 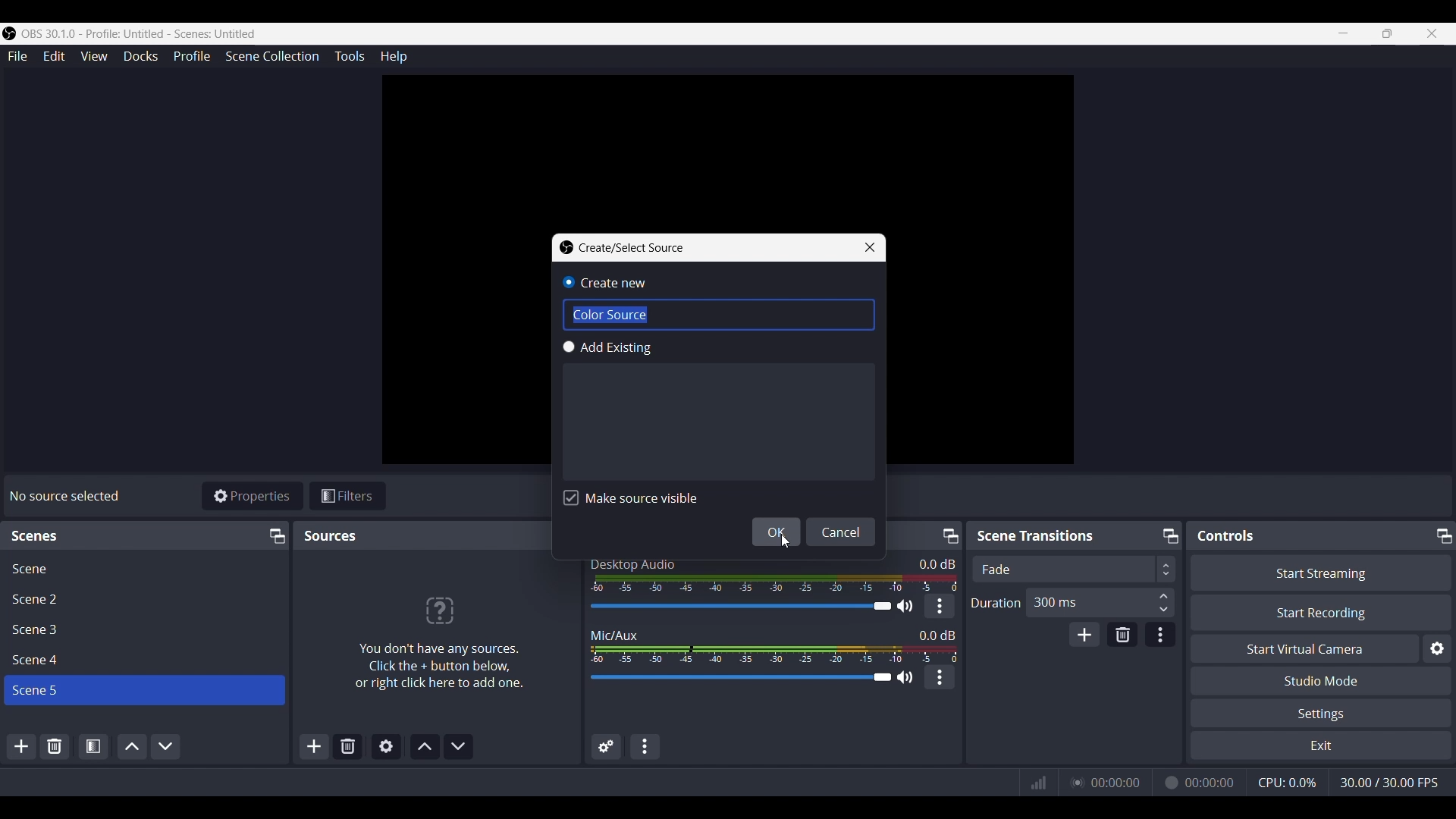 I want to click on Sound Indicator, so click(x=771, y=583).